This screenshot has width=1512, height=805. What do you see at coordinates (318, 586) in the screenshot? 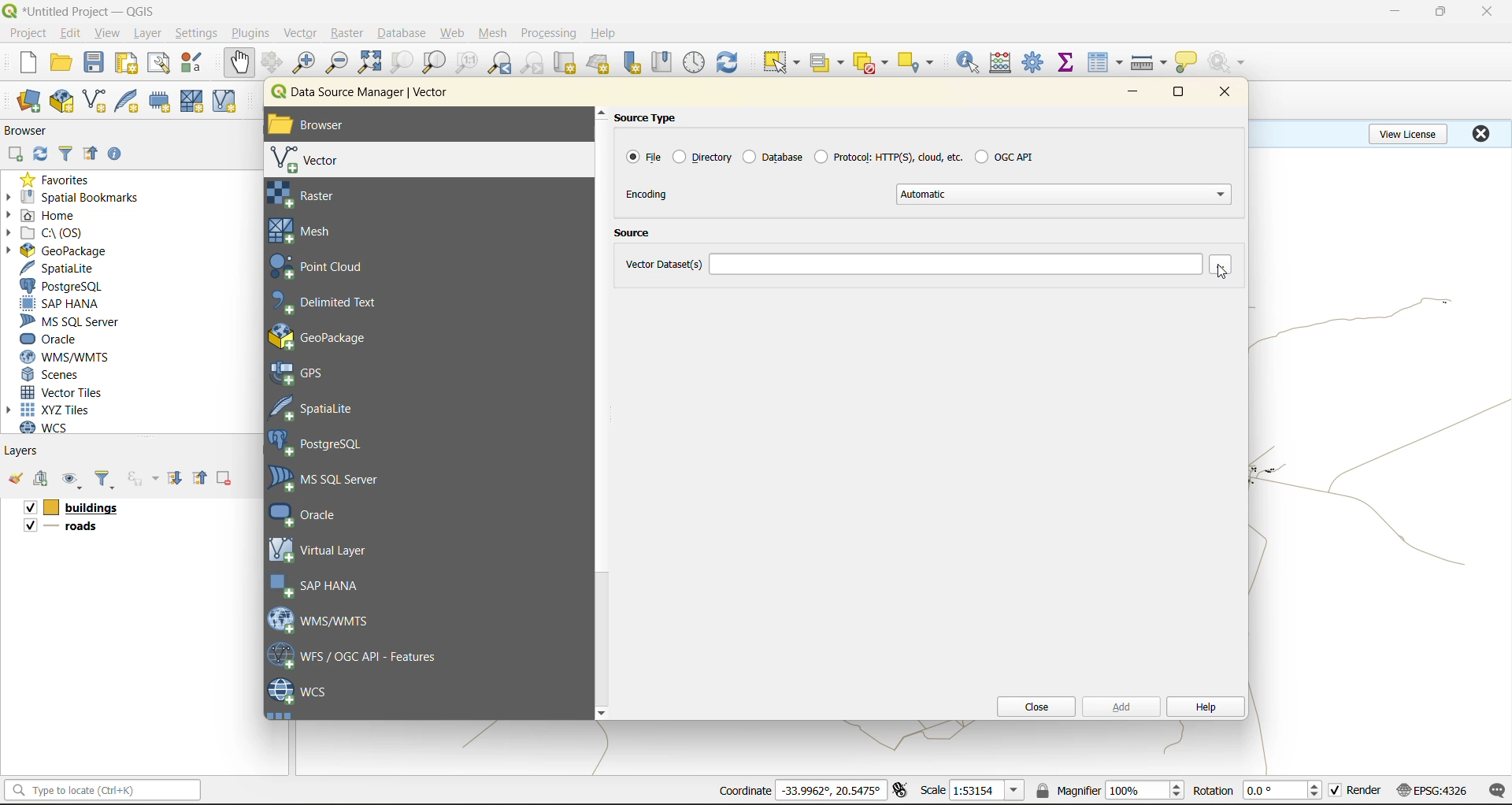
I see `sap hana` at bounding box center [318, 586].